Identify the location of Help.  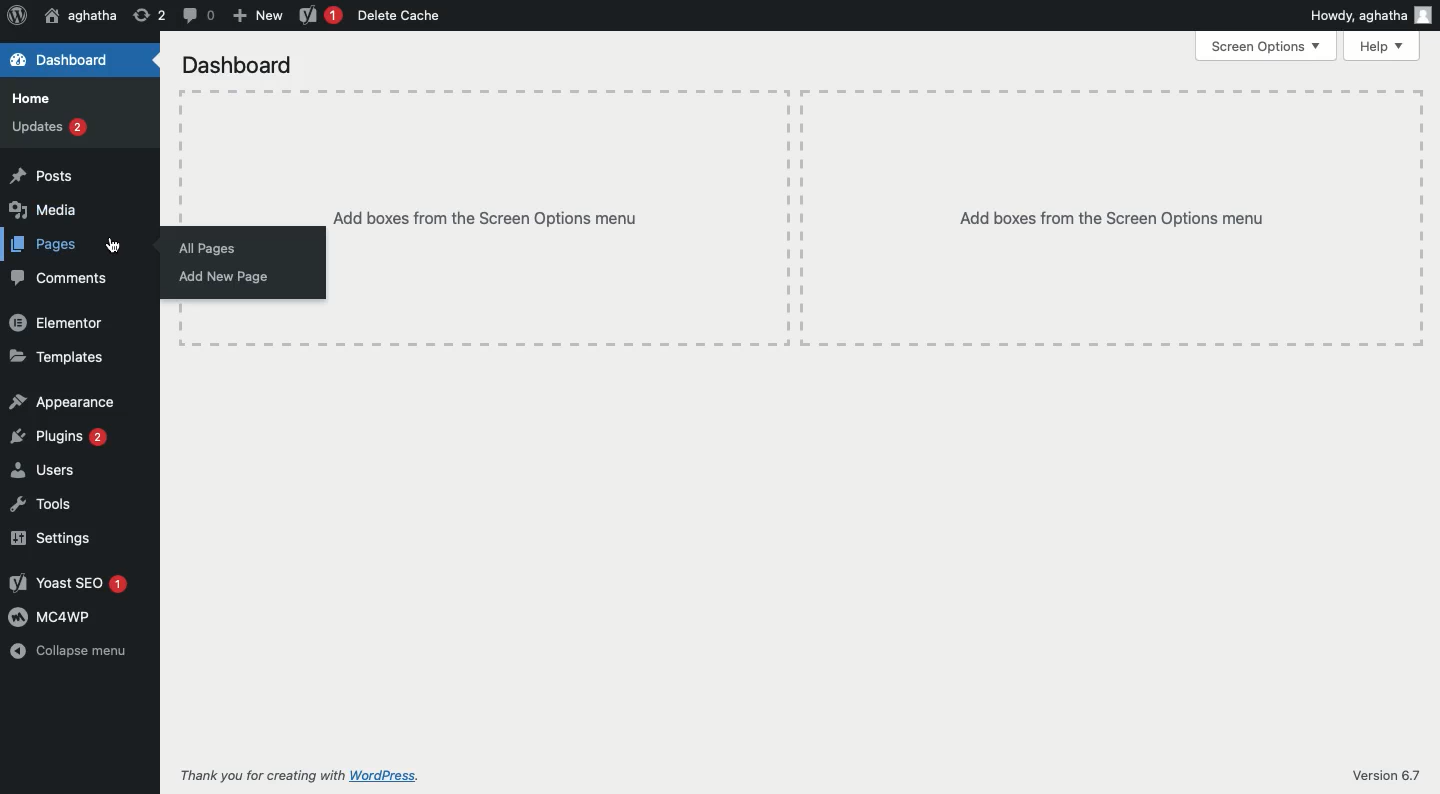
(1382, 47).